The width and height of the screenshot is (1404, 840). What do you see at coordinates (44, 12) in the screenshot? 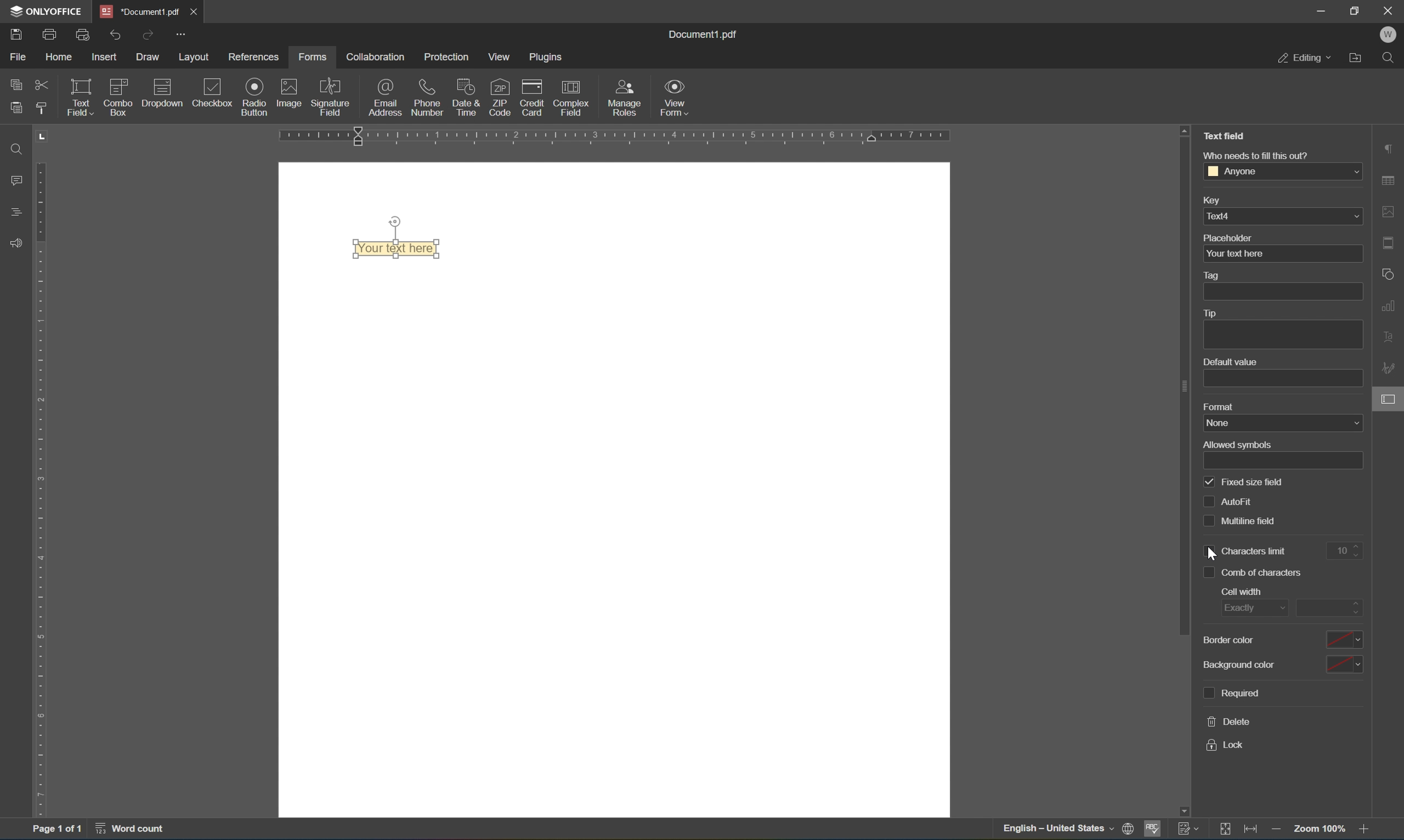
I see `ONLYOFFICE` at bounding box center [44, 12].